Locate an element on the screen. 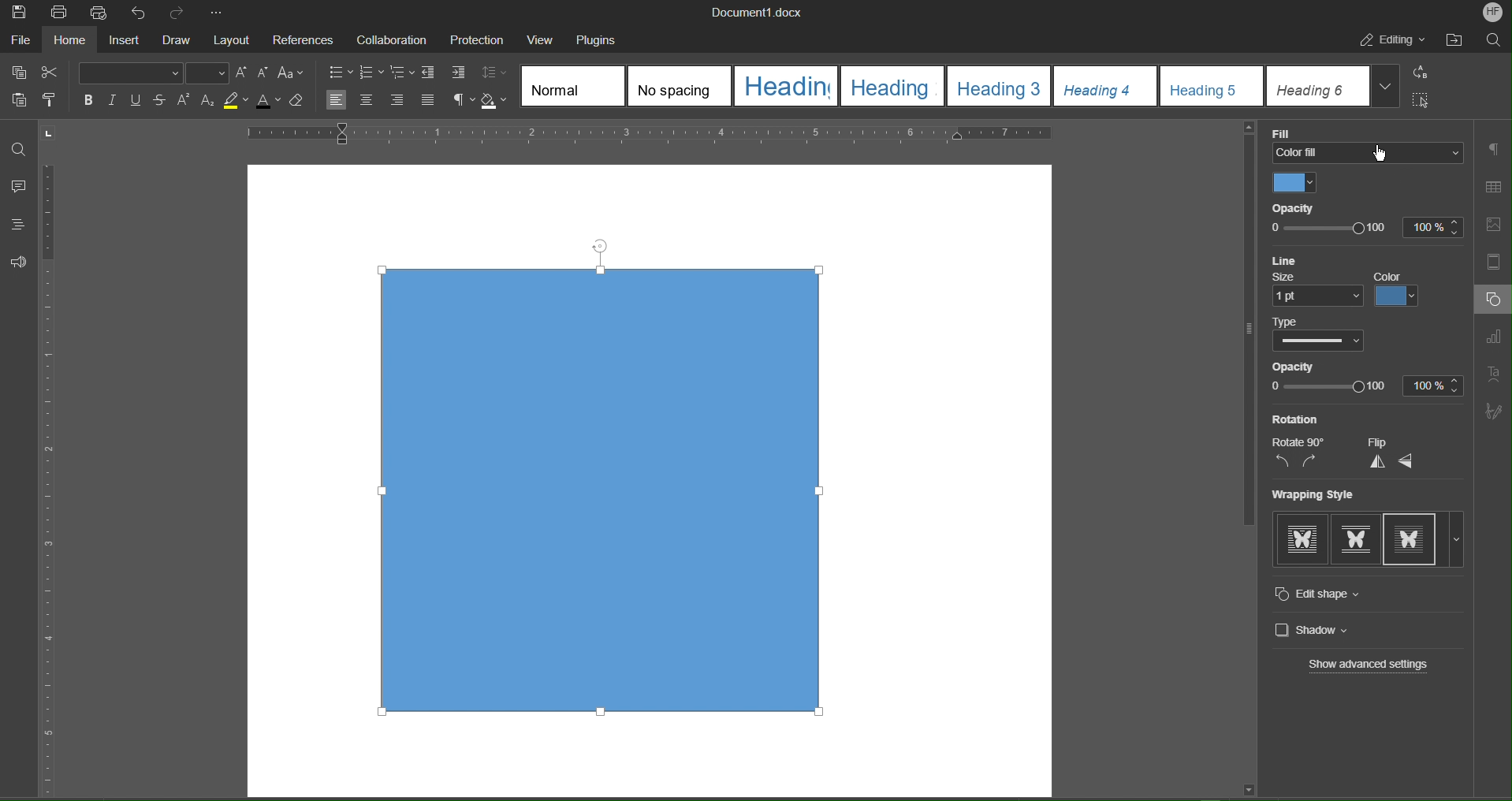 This screenshot has width=1512, height=801. Centre Align is located at coordinates (366, 101).